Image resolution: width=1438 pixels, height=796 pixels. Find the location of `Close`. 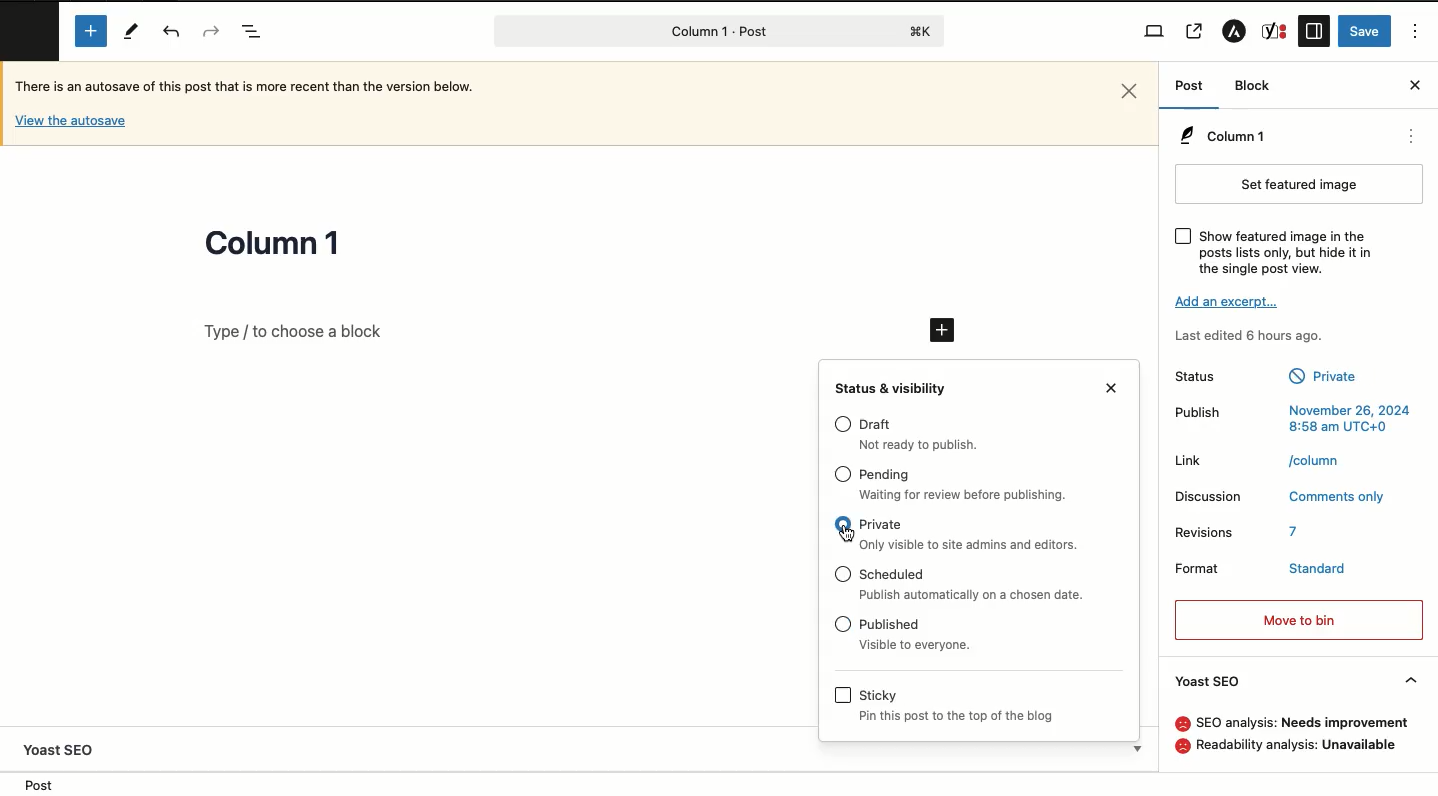

Close is located at coordinates (1131, 91).